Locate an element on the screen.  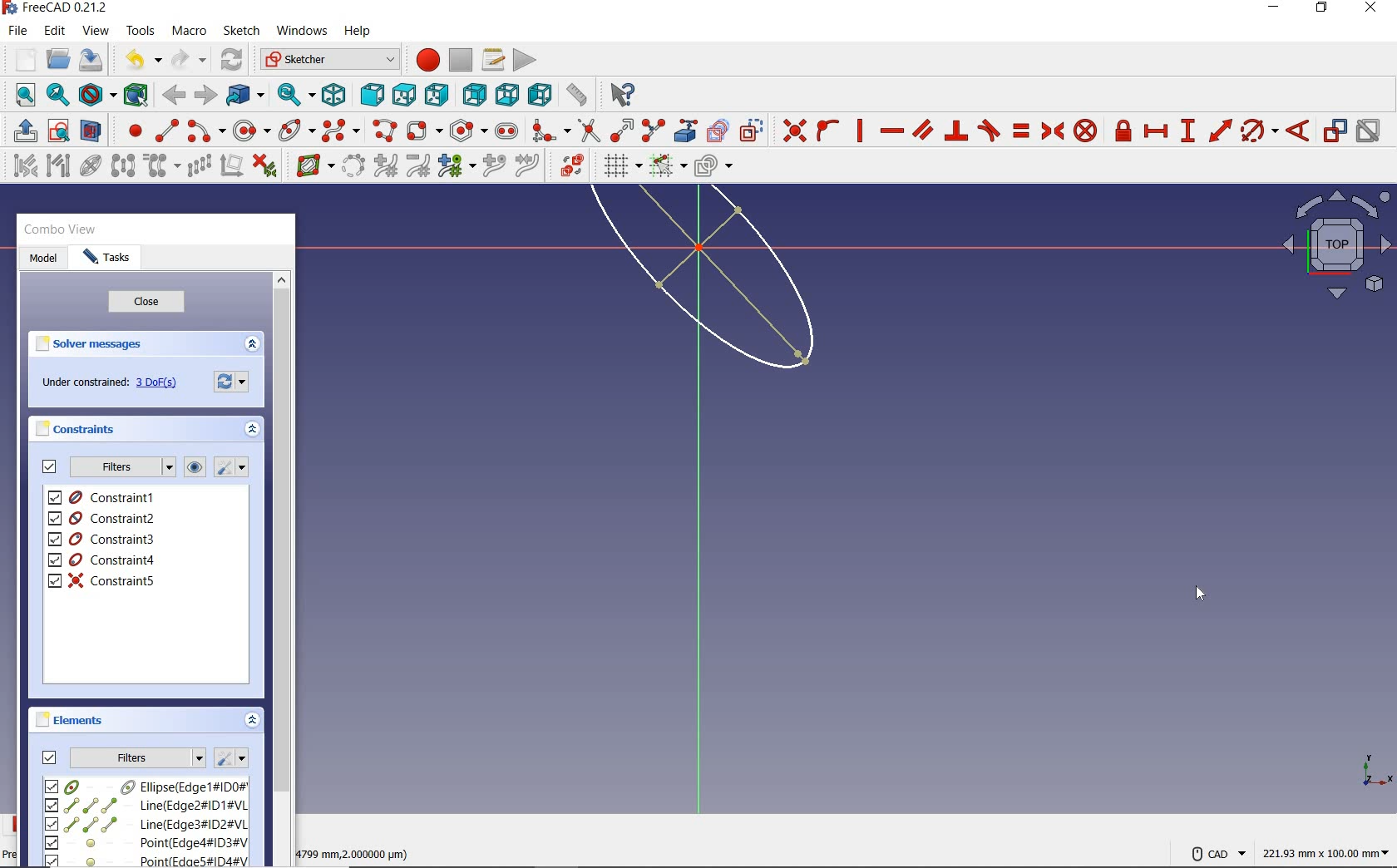
macro recording is located at coordinates (422, 59).